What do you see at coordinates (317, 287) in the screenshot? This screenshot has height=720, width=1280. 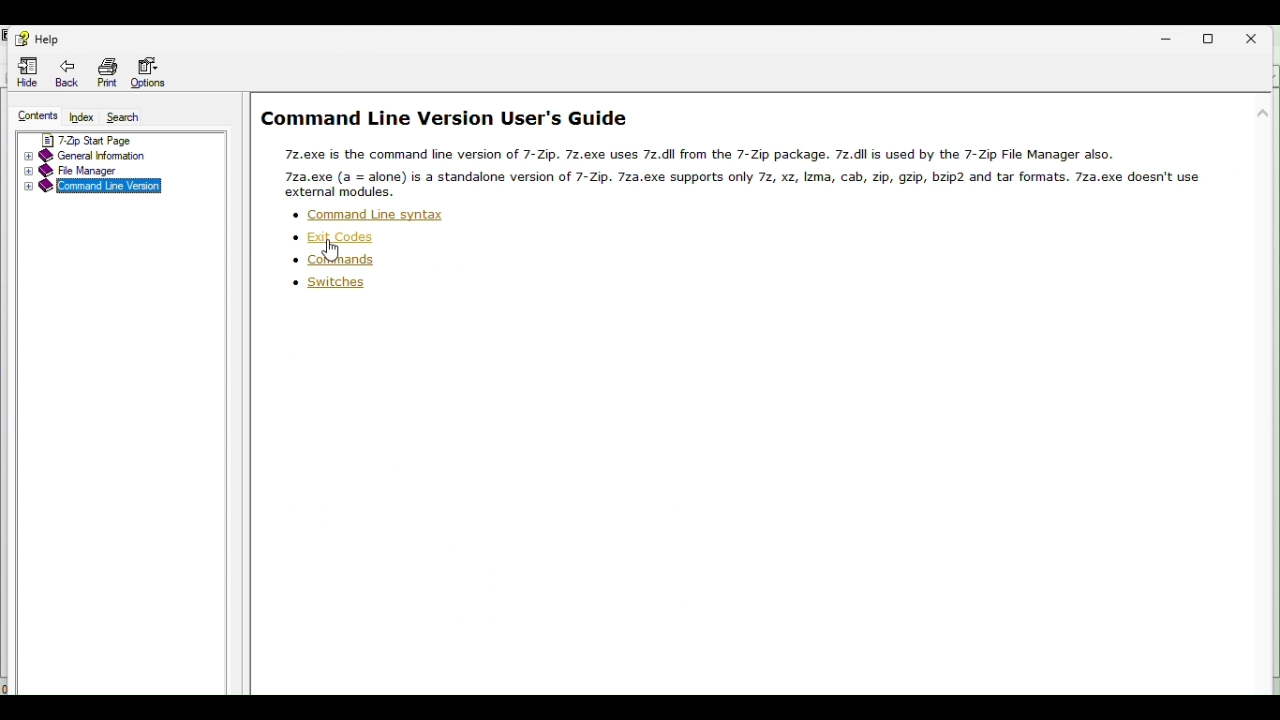 I see `Switches` at bounding box center [317, 287].